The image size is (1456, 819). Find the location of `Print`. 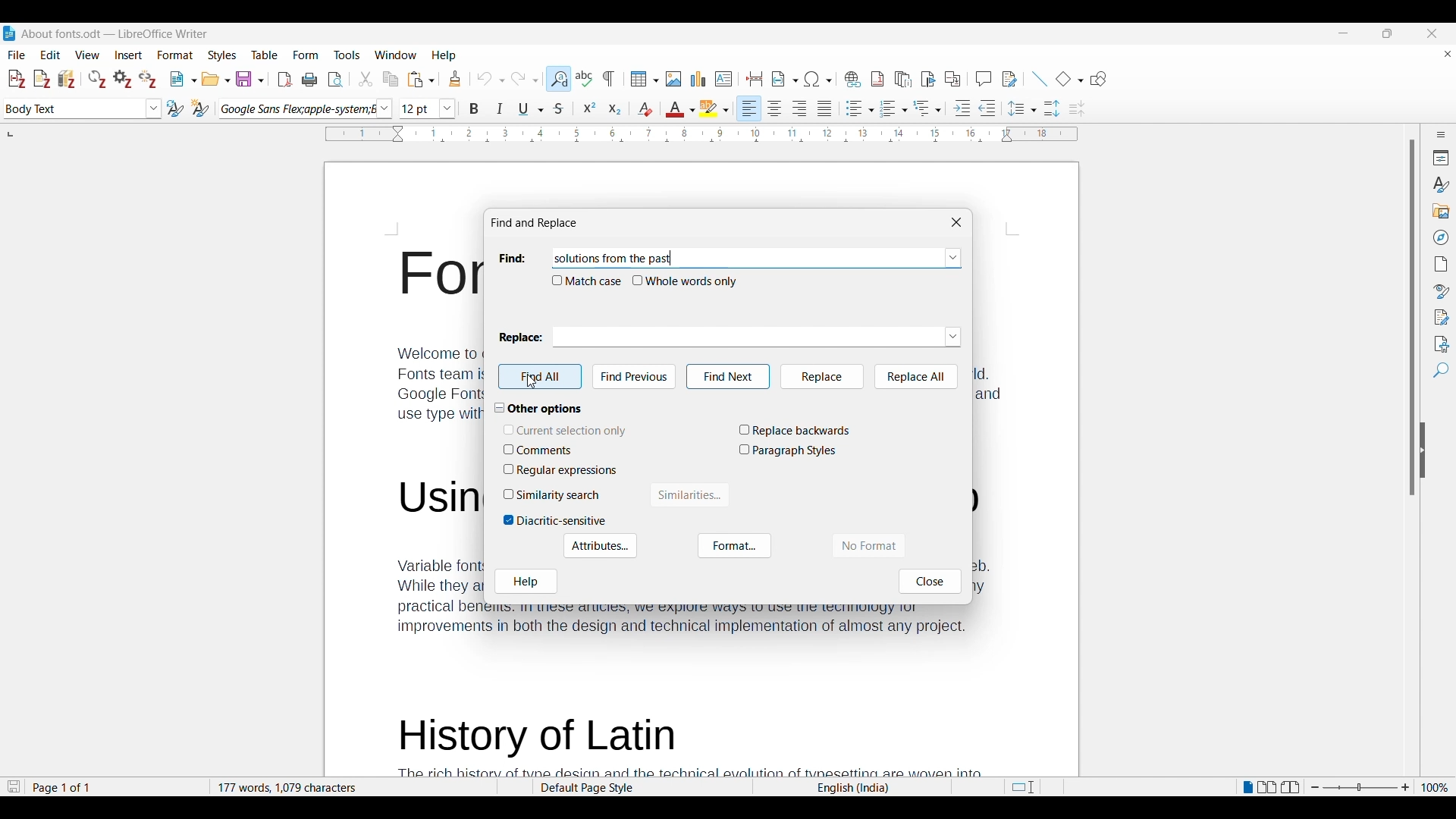

Print is located at coordinates (309, 79).